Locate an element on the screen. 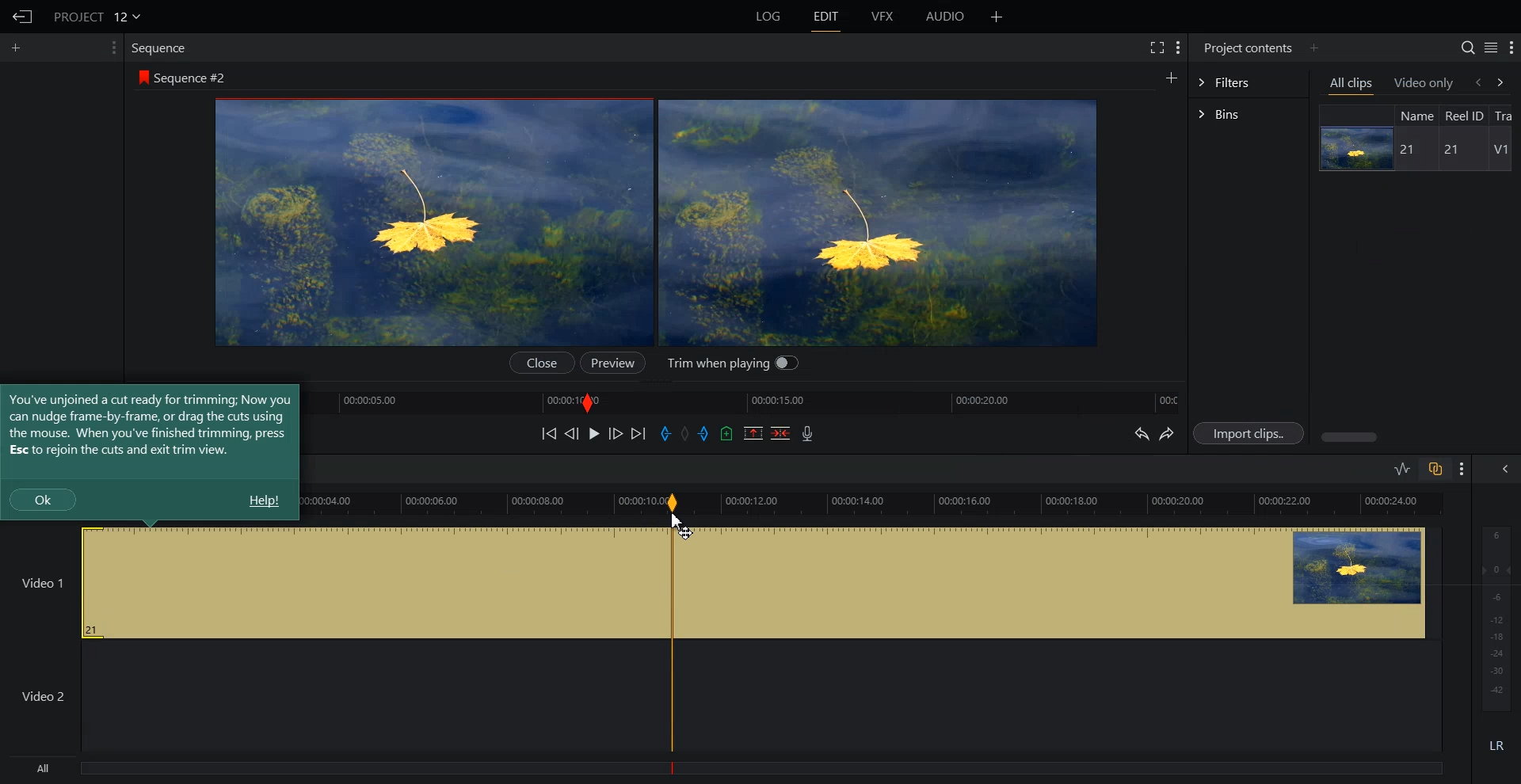  Undo is located at coordinates (1140, 432).